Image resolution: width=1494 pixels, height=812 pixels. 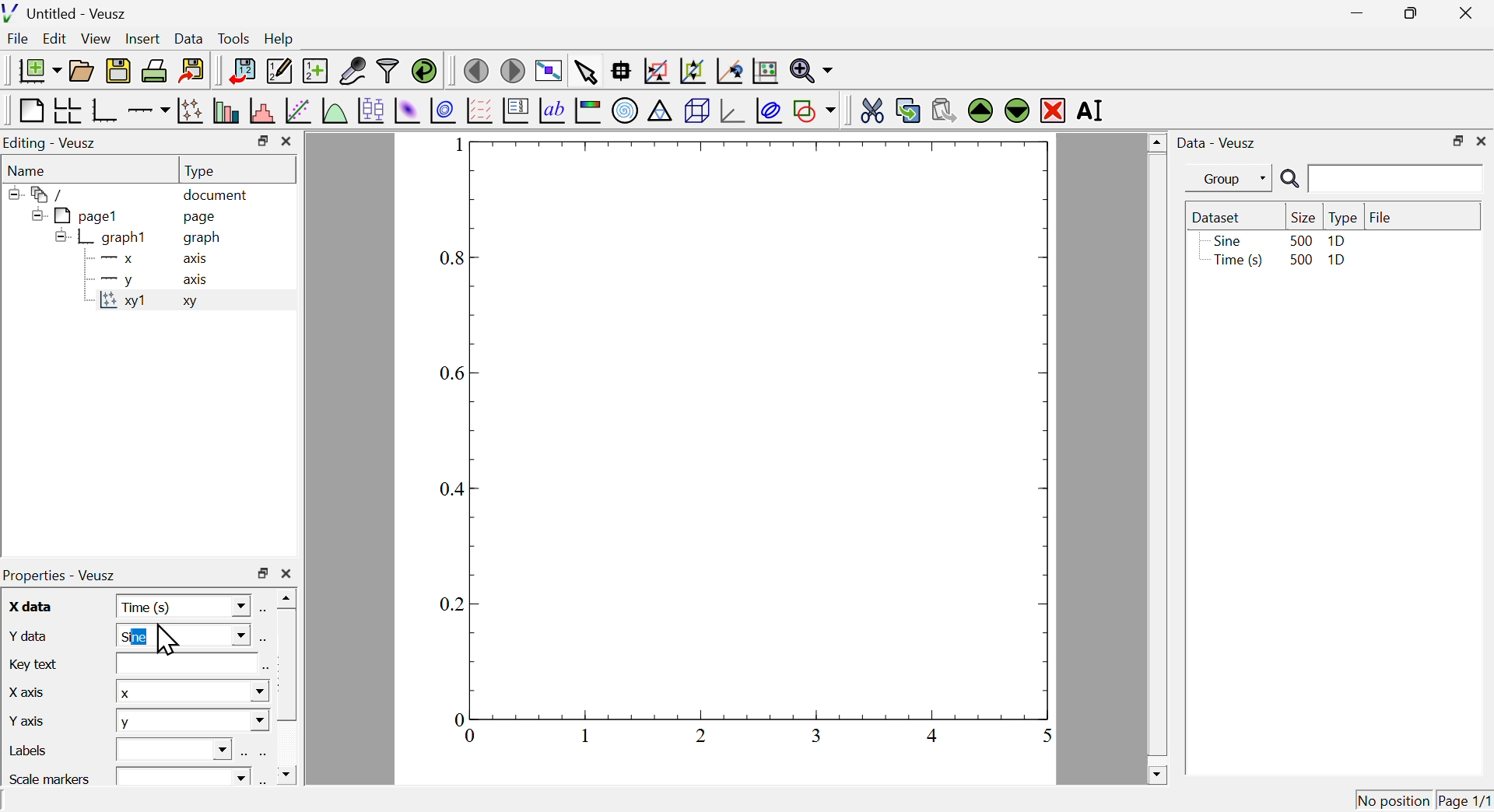 I want to click on move the selected widget up, so click(x=980, y=110).